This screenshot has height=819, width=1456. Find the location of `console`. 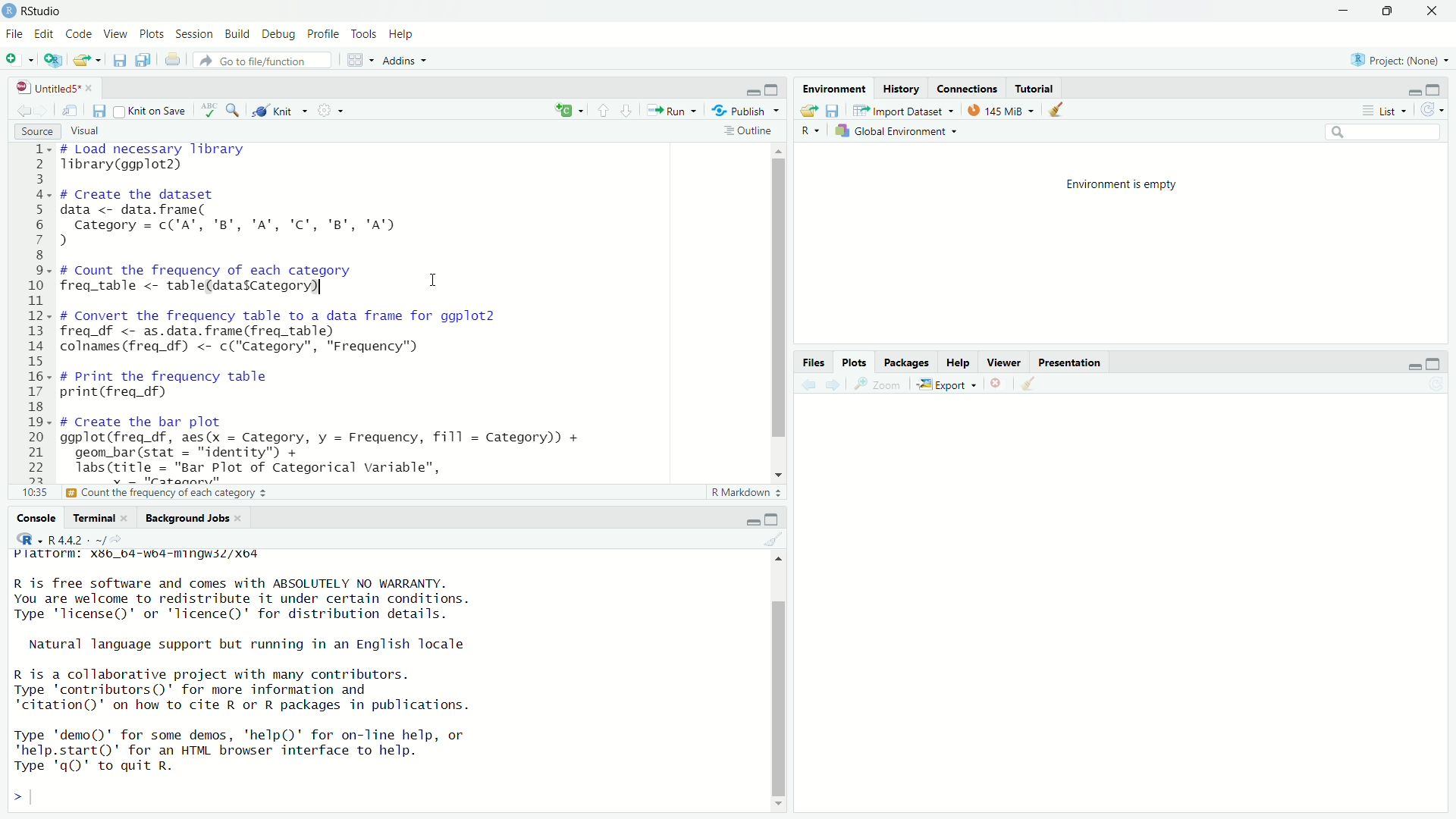

console is located at coordinates (30, 519).